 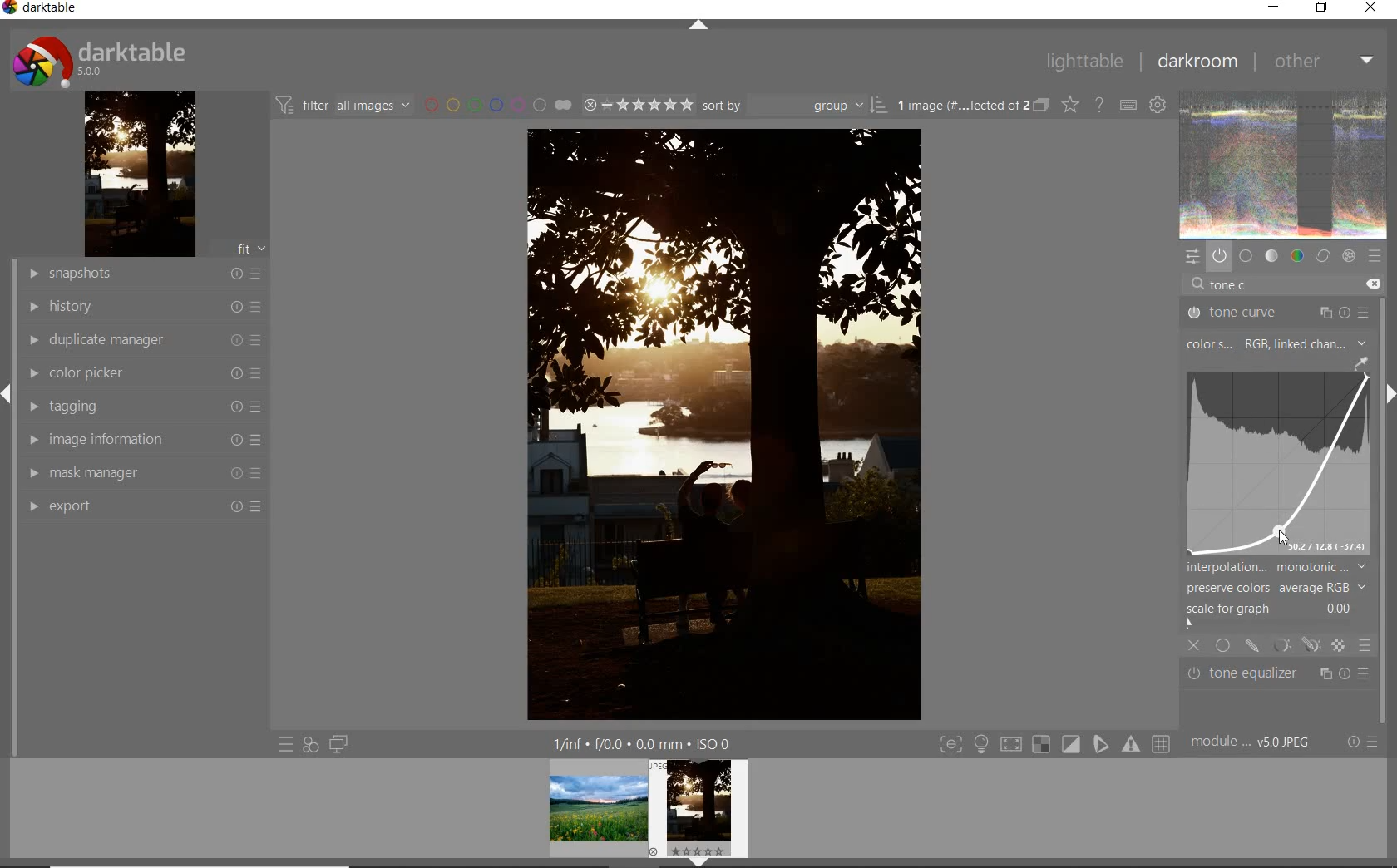 I want to click on change type of overlays, so click(x=1071, y=104).